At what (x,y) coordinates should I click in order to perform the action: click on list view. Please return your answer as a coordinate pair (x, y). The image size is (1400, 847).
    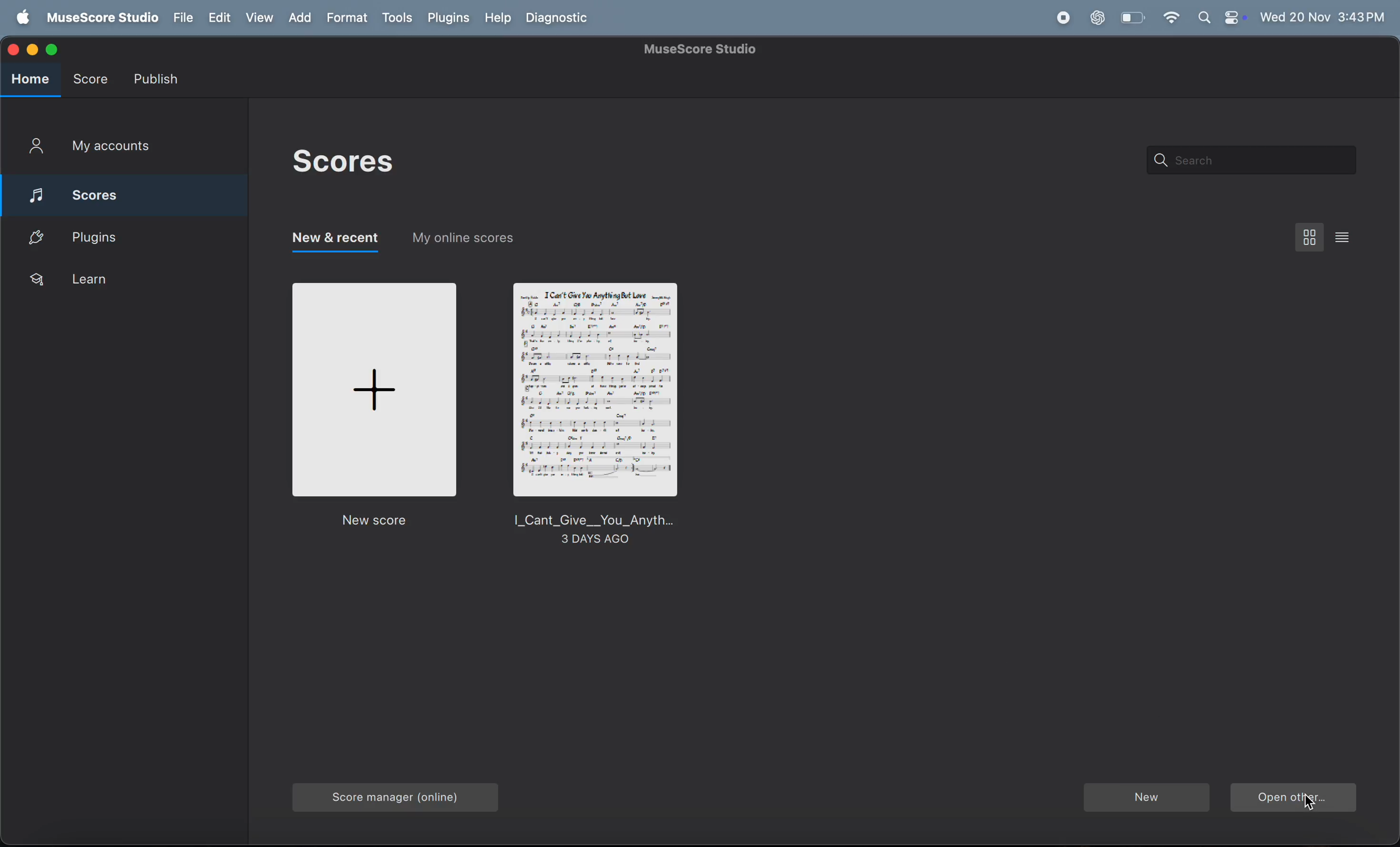
    Looking at the image, I should click on (1343, 236).